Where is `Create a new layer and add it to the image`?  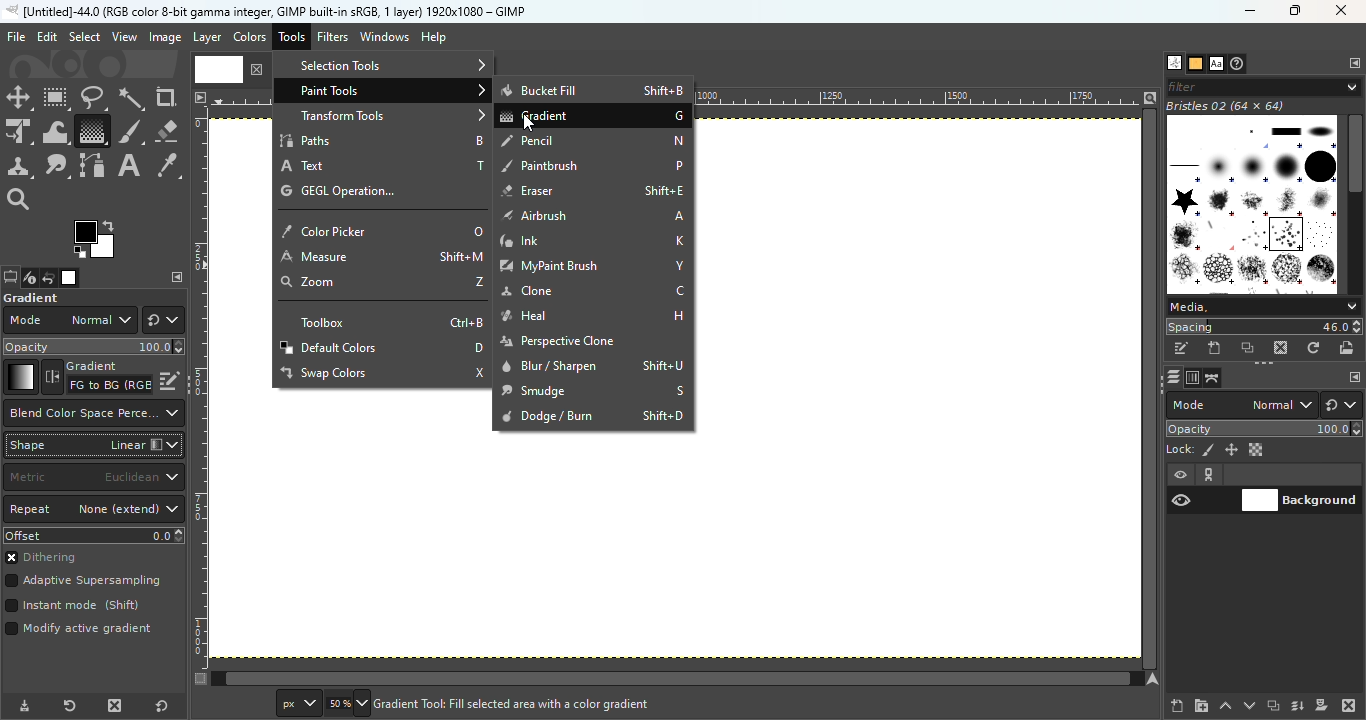 Create a new layer and add it to the image is located at coordinates (1178, 706).